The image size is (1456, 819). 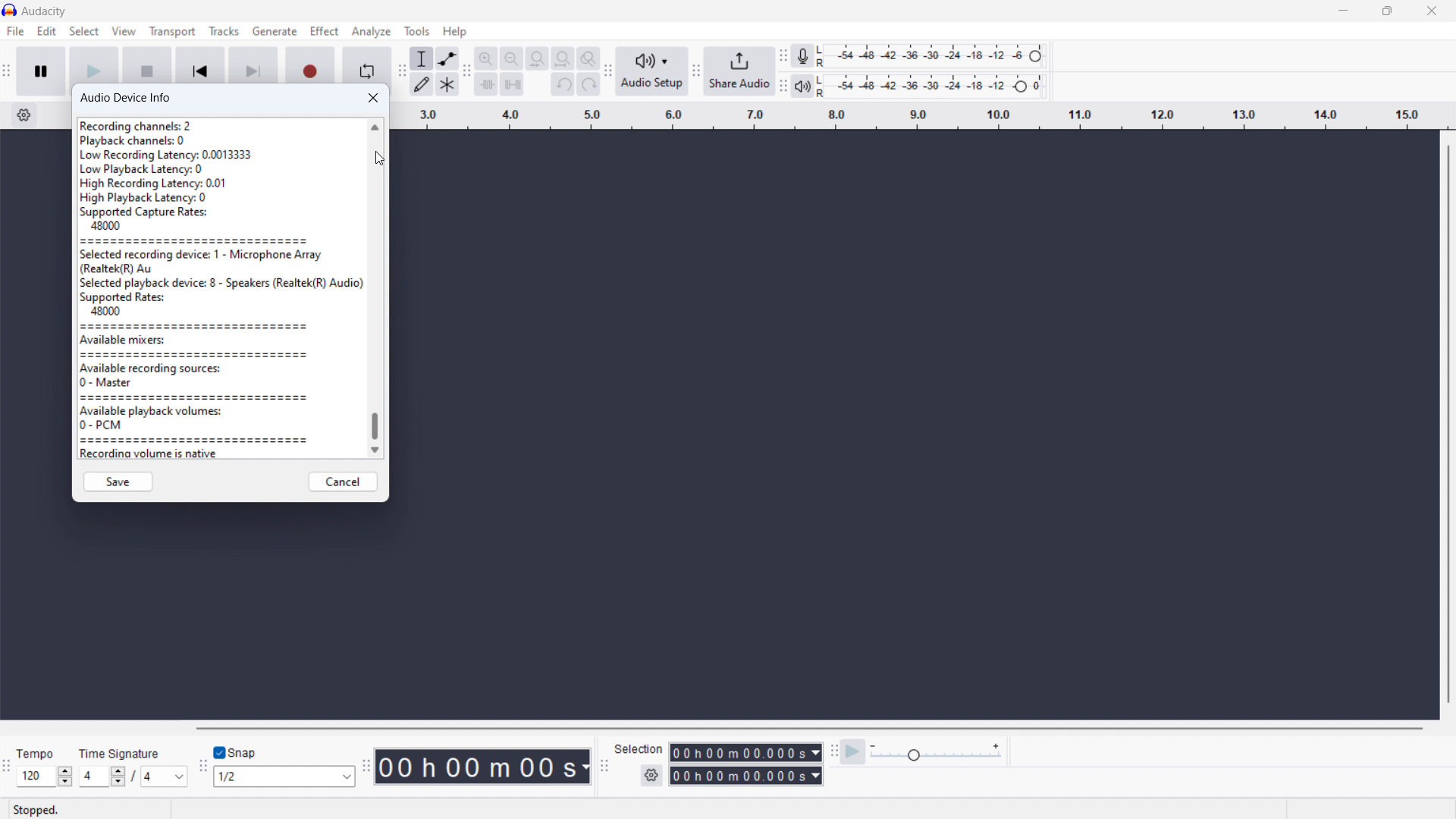 What do you see at coordinates (1433, 11) in the screenshot?
I see `close` at bounding box center [1433, 11].